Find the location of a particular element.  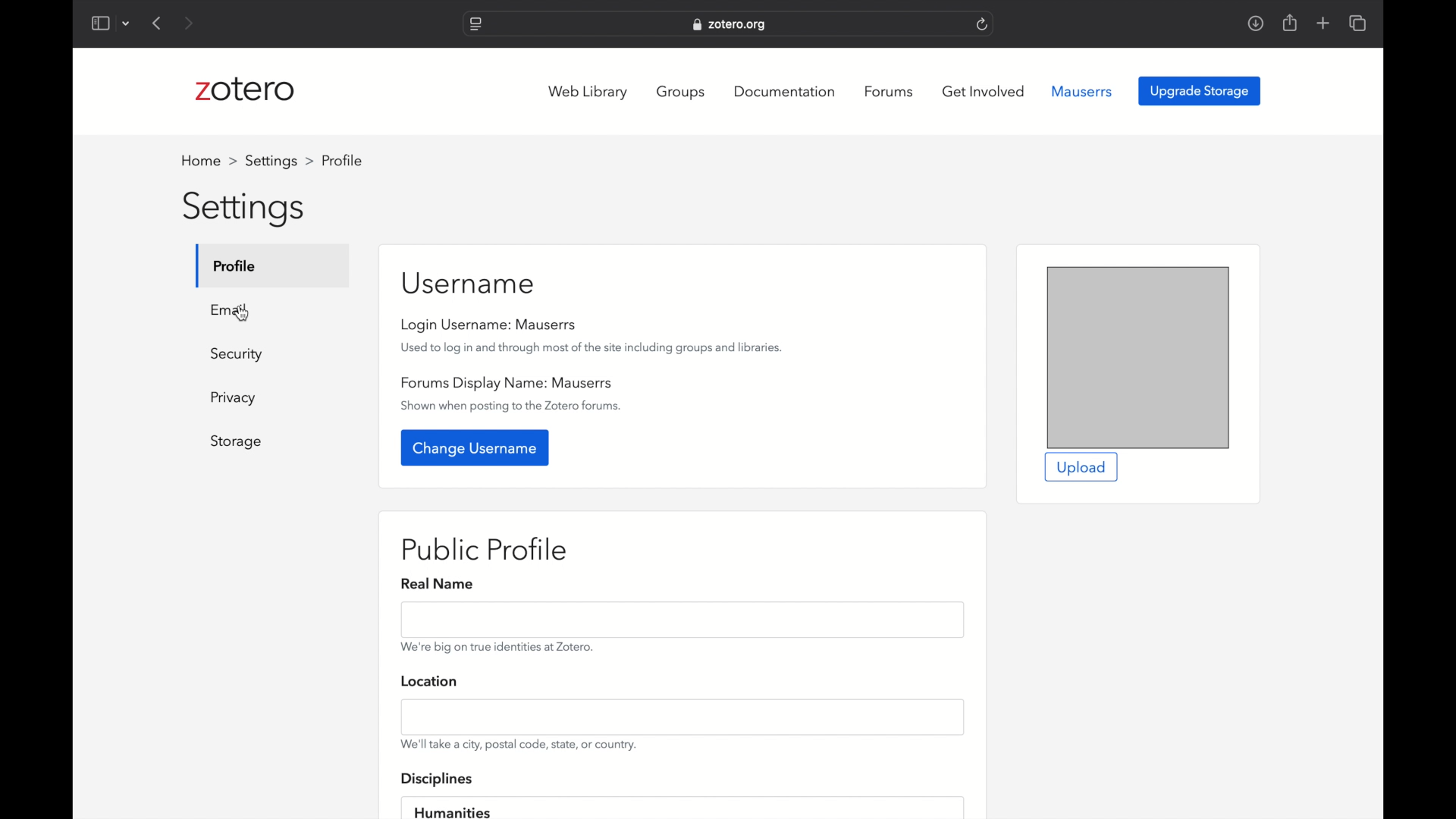

web library is located at coordinates (588, 93).